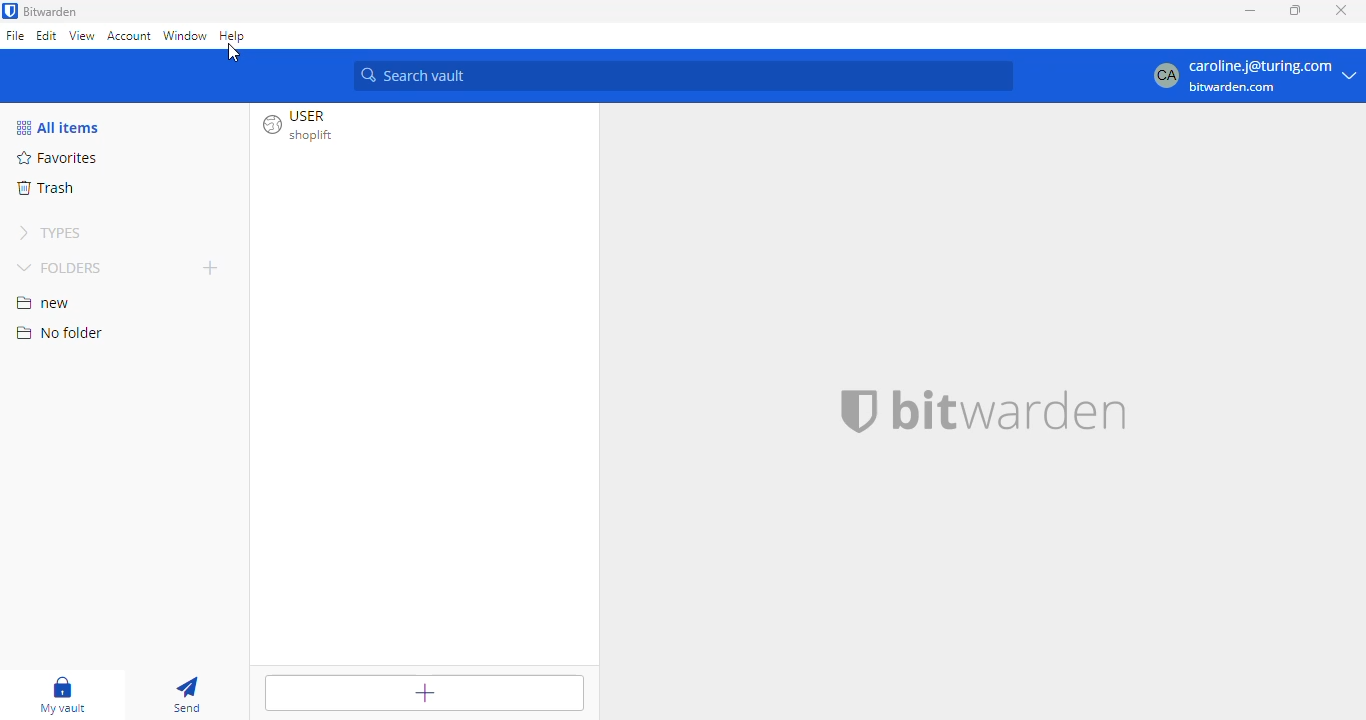 The width and height of the screenshot is (1366, 720). Describe the element at coordinates (210, 266) in the screenshot. I see `new folder` at that location.